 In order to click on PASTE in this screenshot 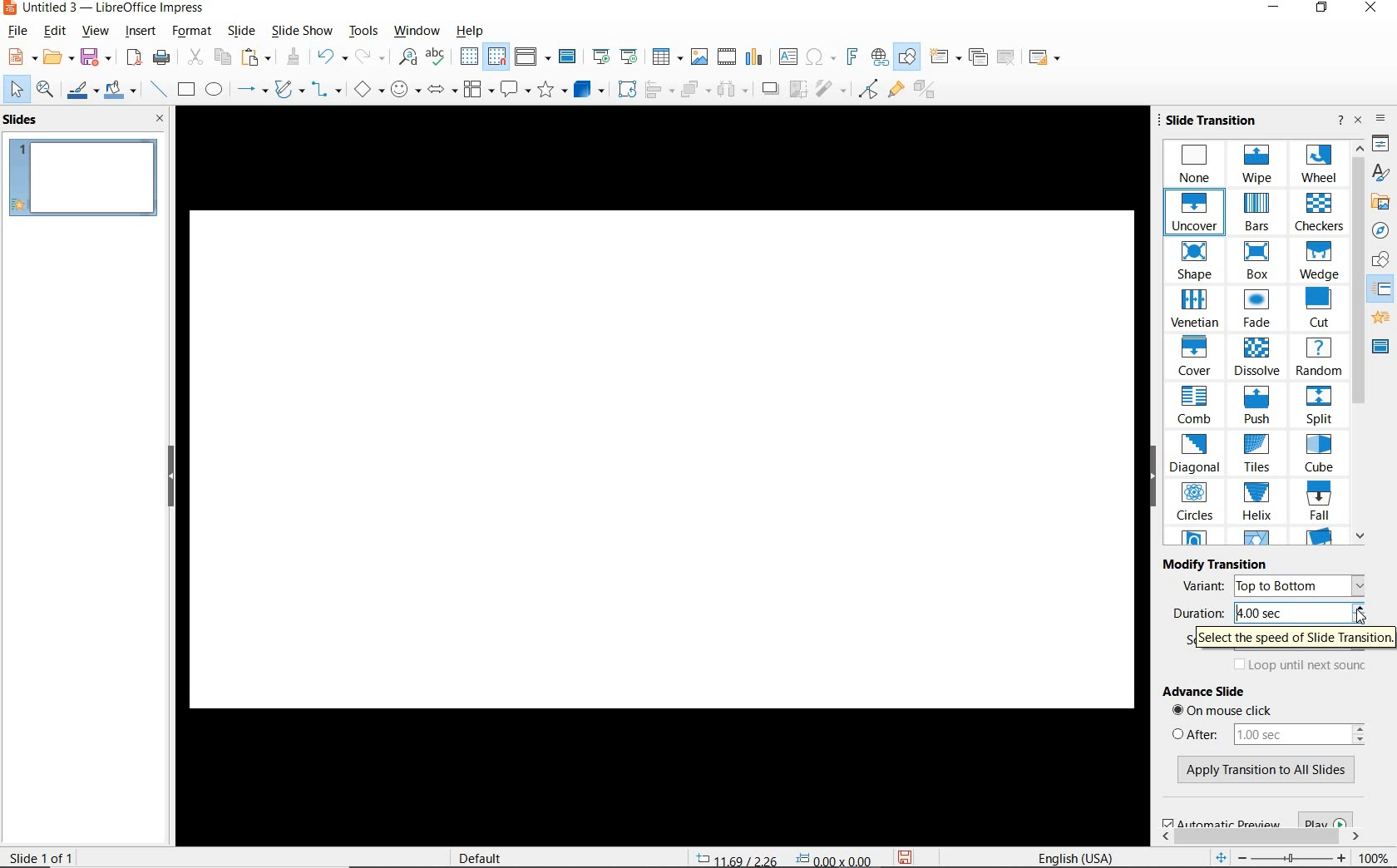, I will do `click(254, 58)`.